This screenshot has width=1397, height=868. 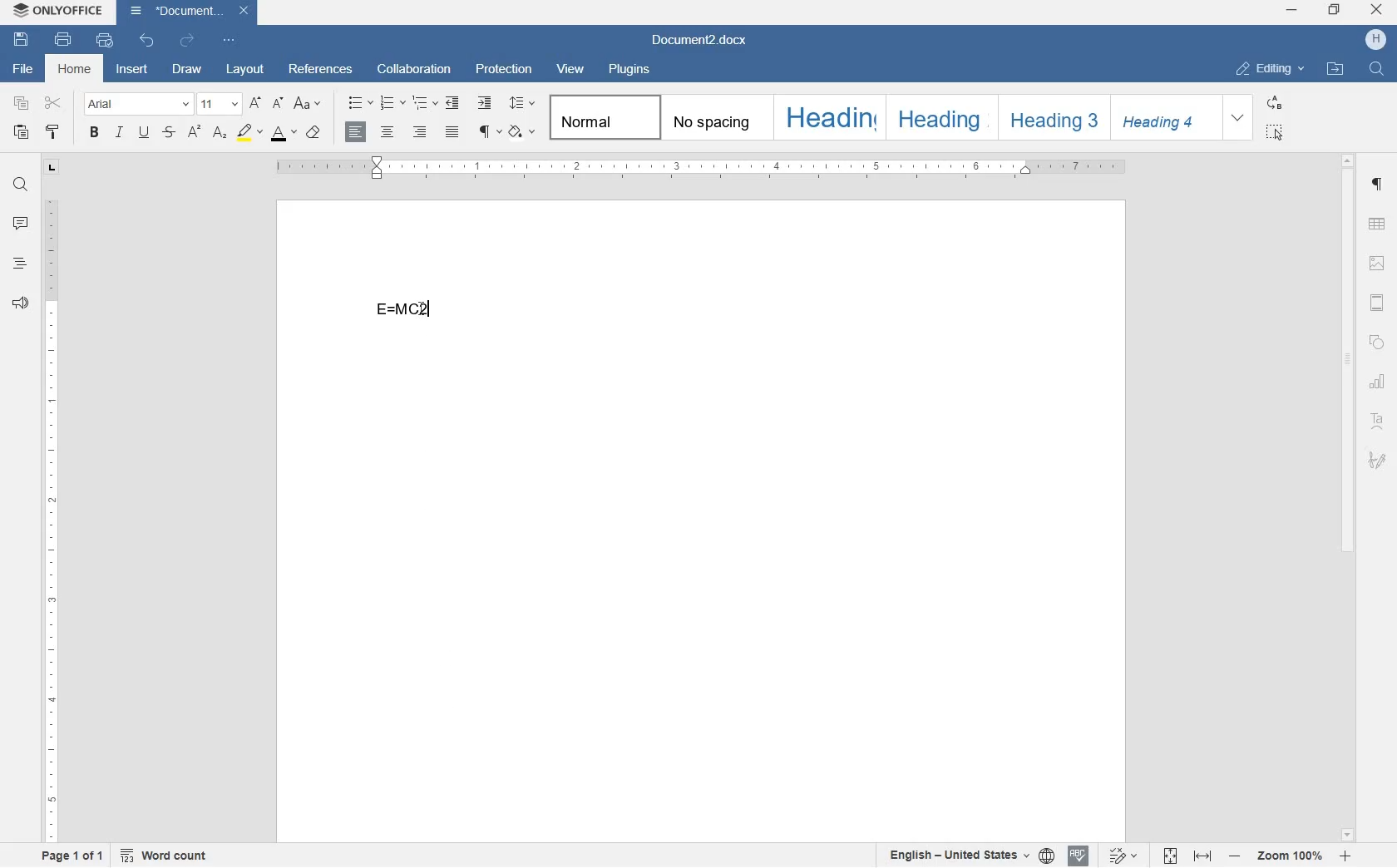 I want to click on draw, so click(x=186, y=72).